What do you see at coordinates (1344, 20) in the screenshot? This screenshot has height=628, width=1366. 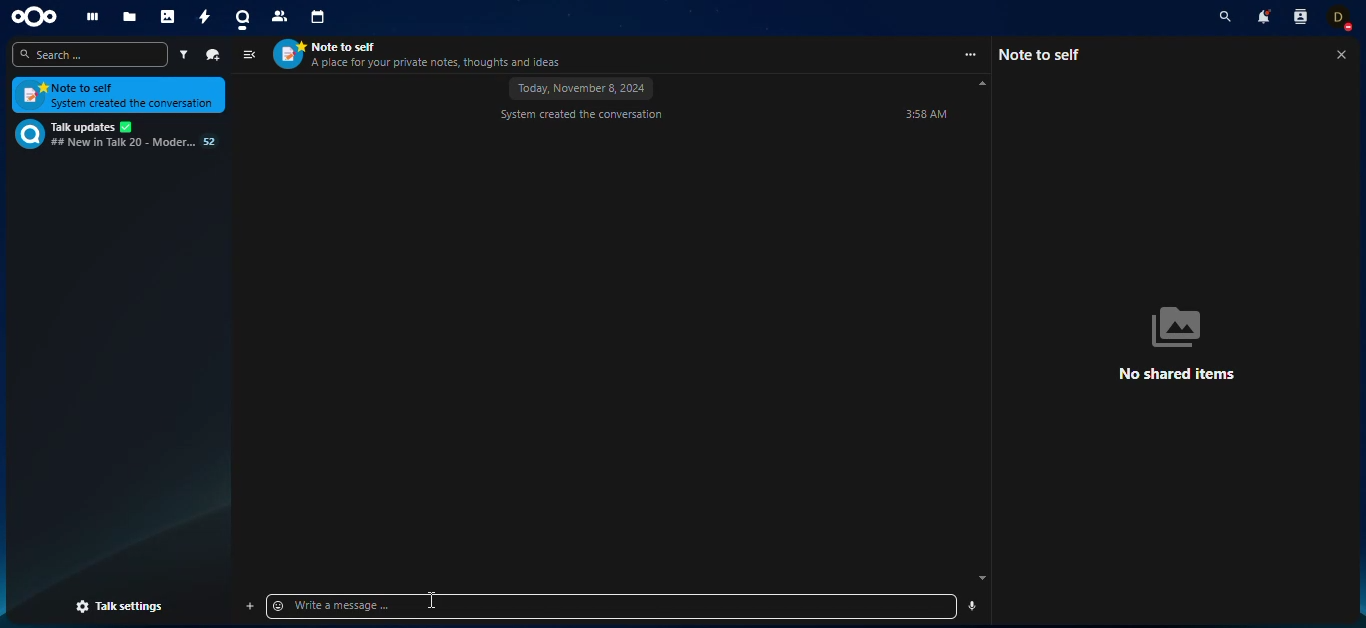 I see `account` at bounding box center [1344, 20].